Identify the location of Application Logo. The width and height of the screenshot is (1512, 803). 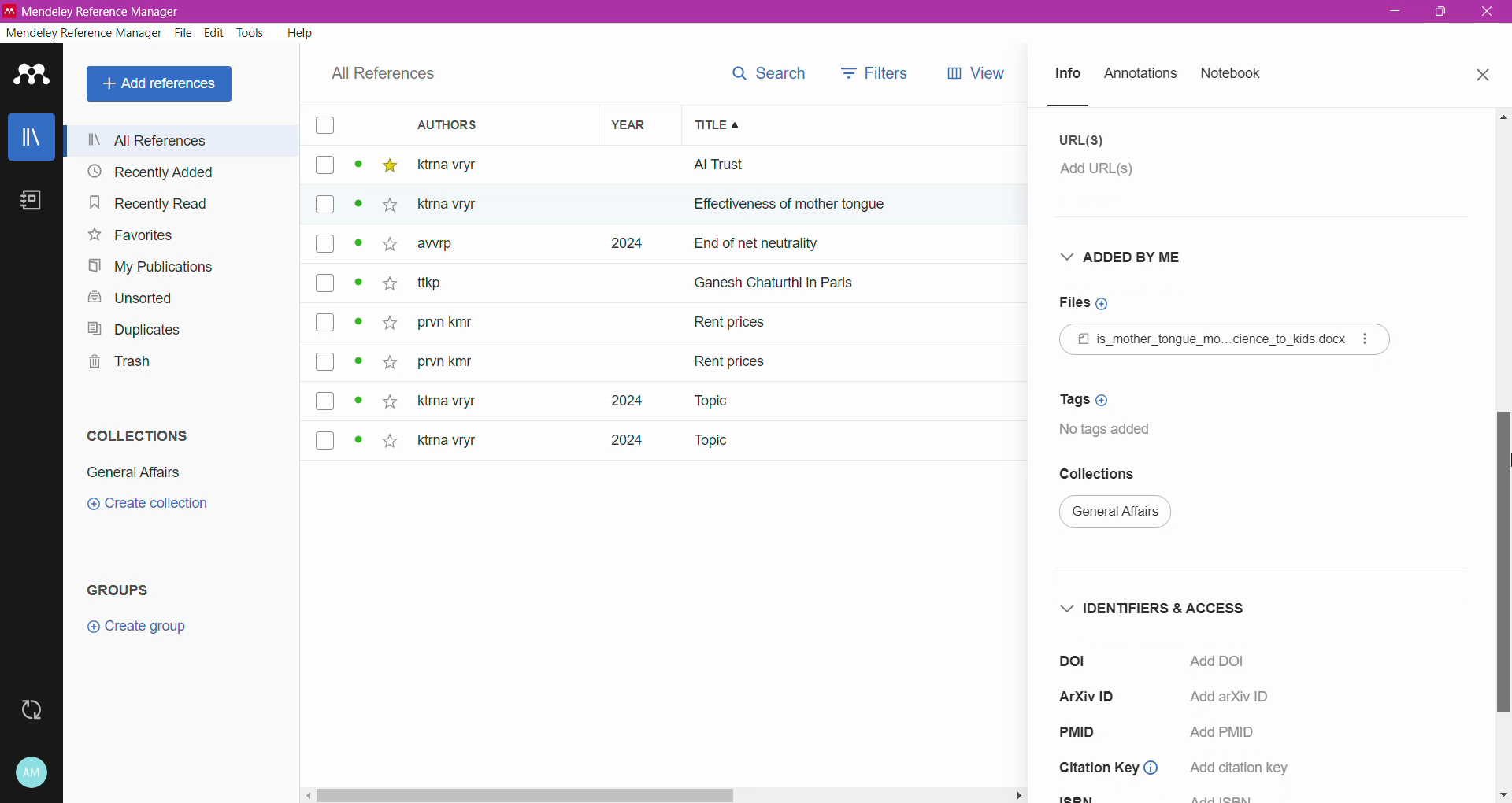
(32, 76).